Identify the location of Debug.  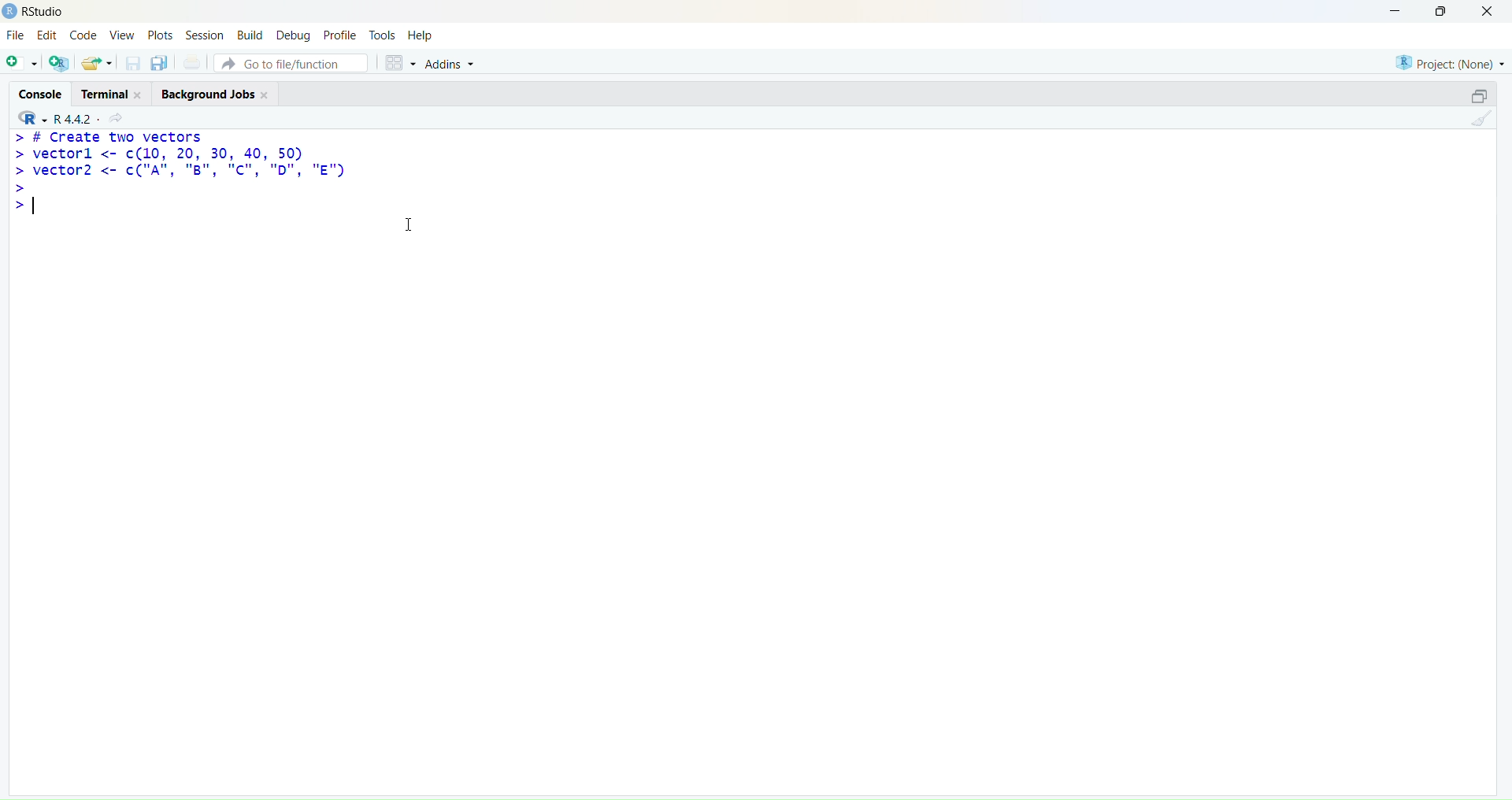
(295, 35).